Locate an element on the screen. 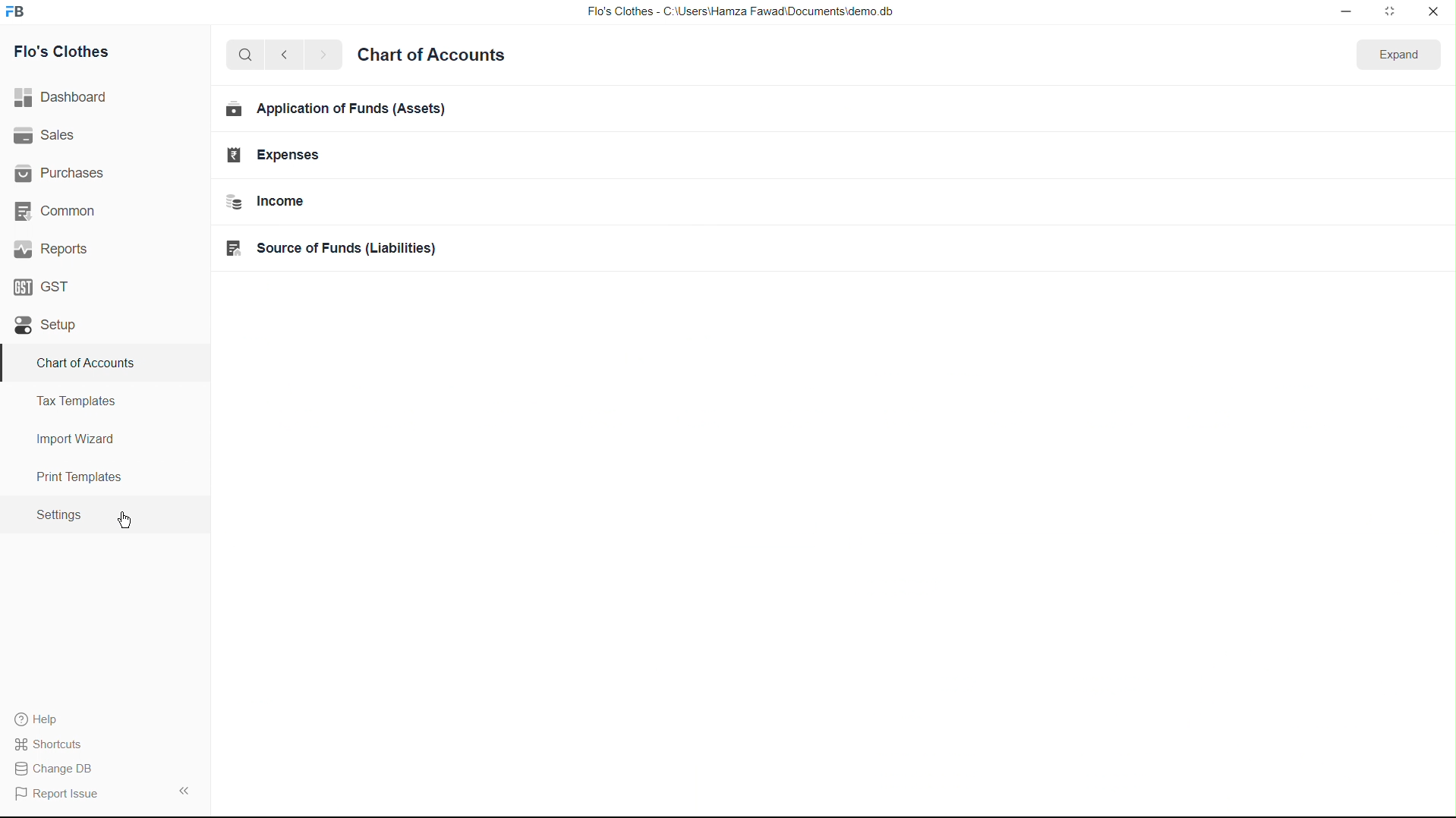 The image size is (1456, 818). Common is located at coordinates (58, 209).